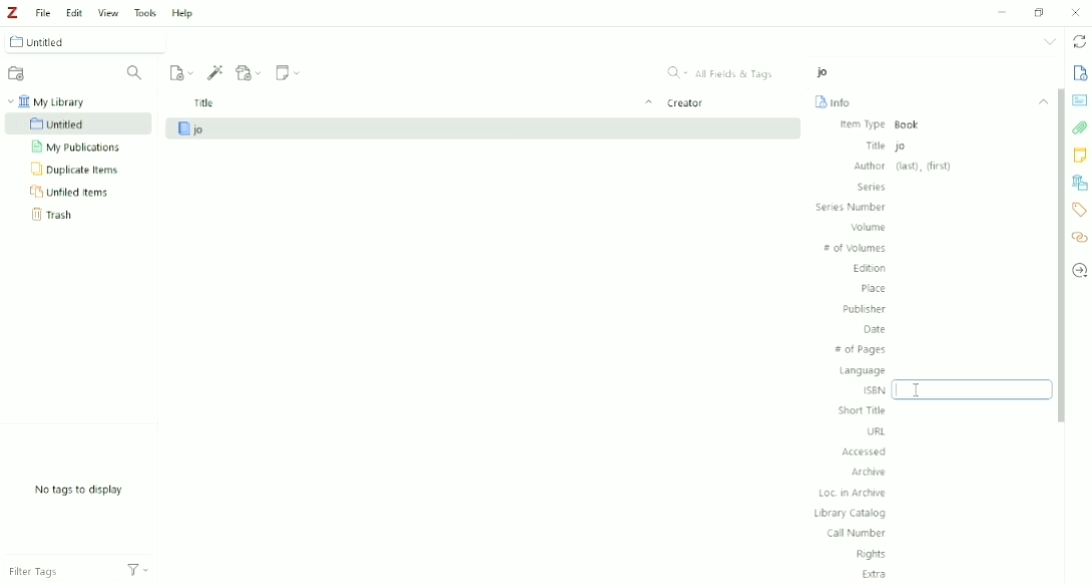 The height and width of the screenshot is (584, 1092). Describe the element at coordinates (854, 534) in the screenshot. I see `Call Number` at that location.